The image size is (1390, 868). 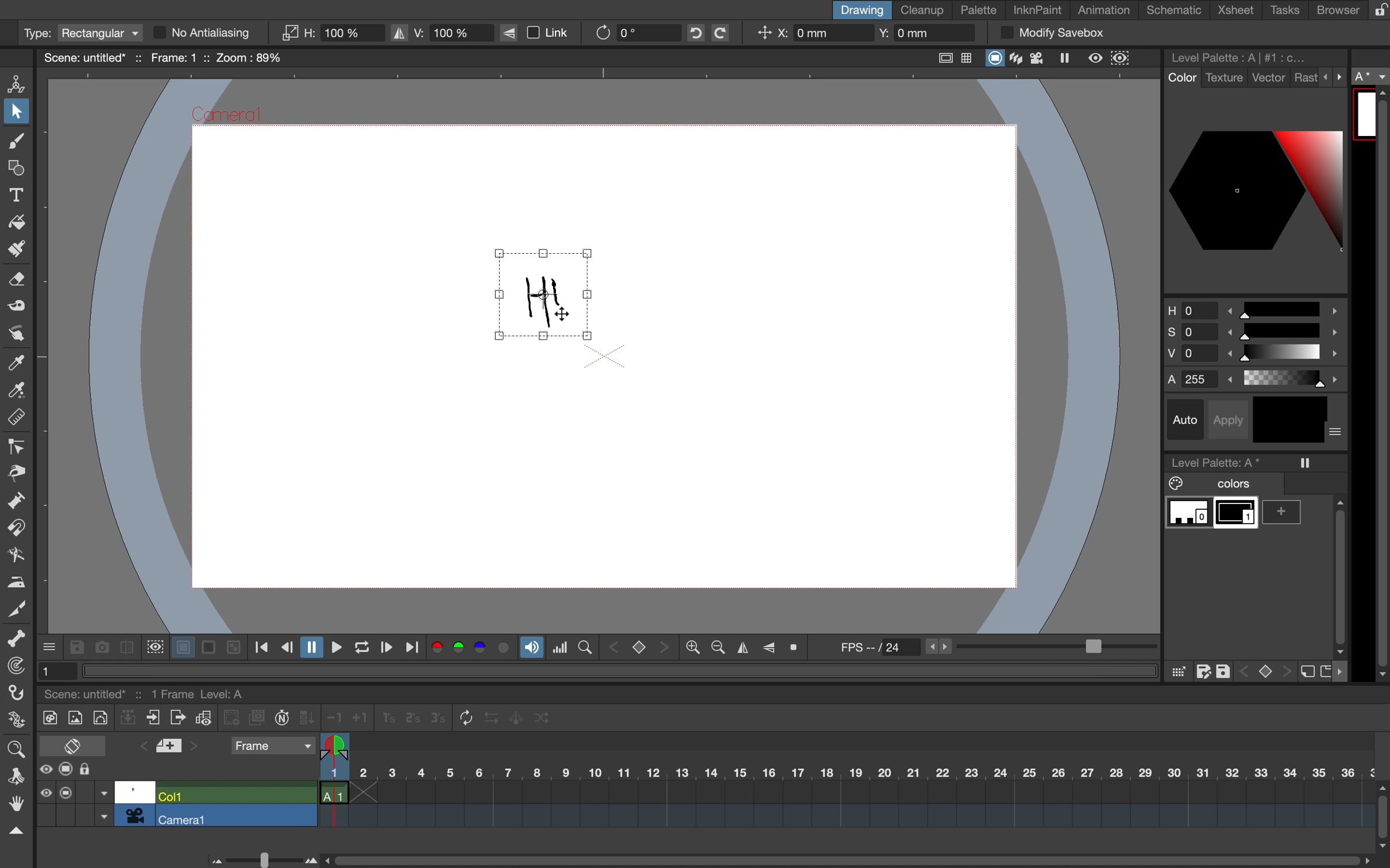 I want to click on camera, so click(x=135, y=815).